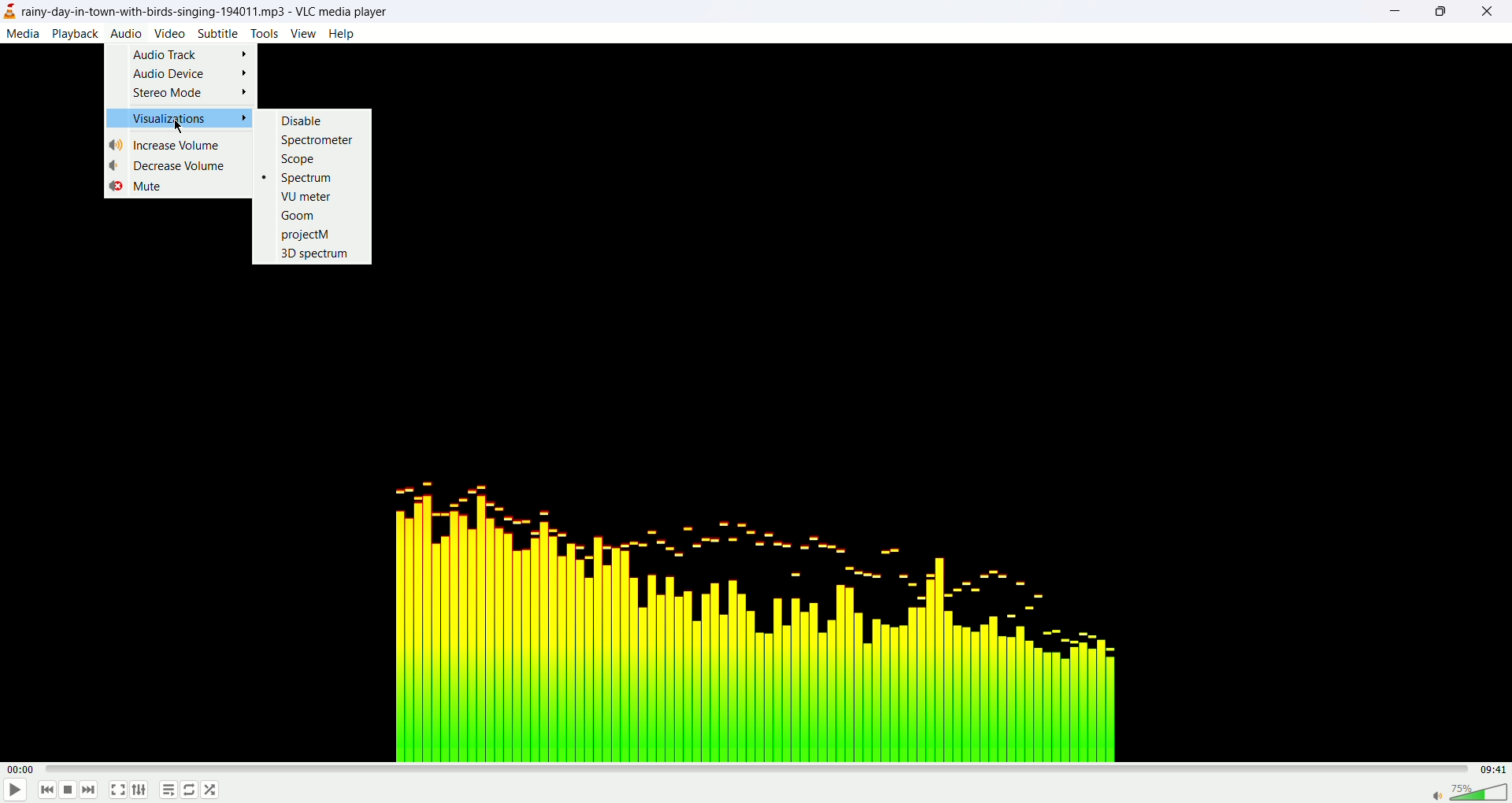 The width and height of the screenshot is (1512, 803). What do you see at coordinates (762, 769) in the screenshot?
I see `progress bar` at bounding box center [762, 769].